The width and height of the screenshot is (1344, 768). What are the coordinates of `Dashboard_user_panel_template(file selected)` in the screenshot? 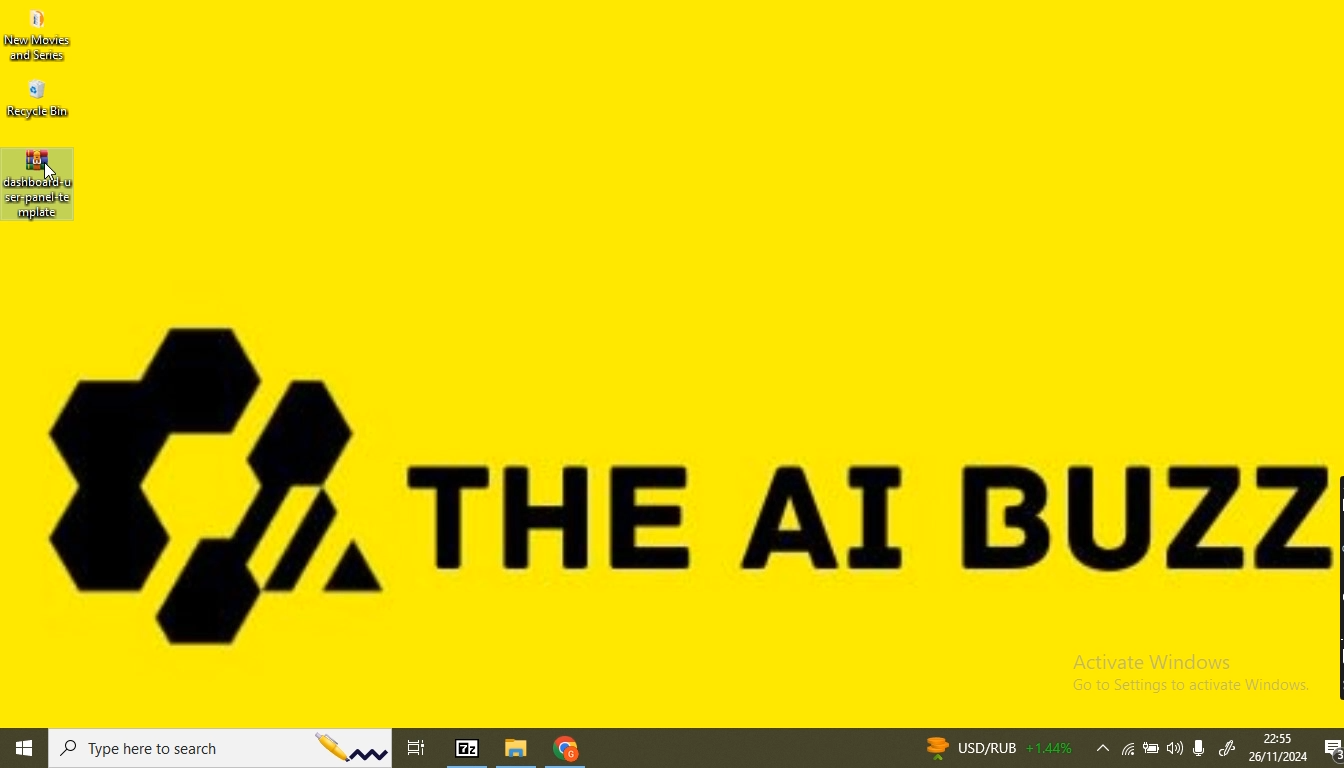 It's located at (39, 187).